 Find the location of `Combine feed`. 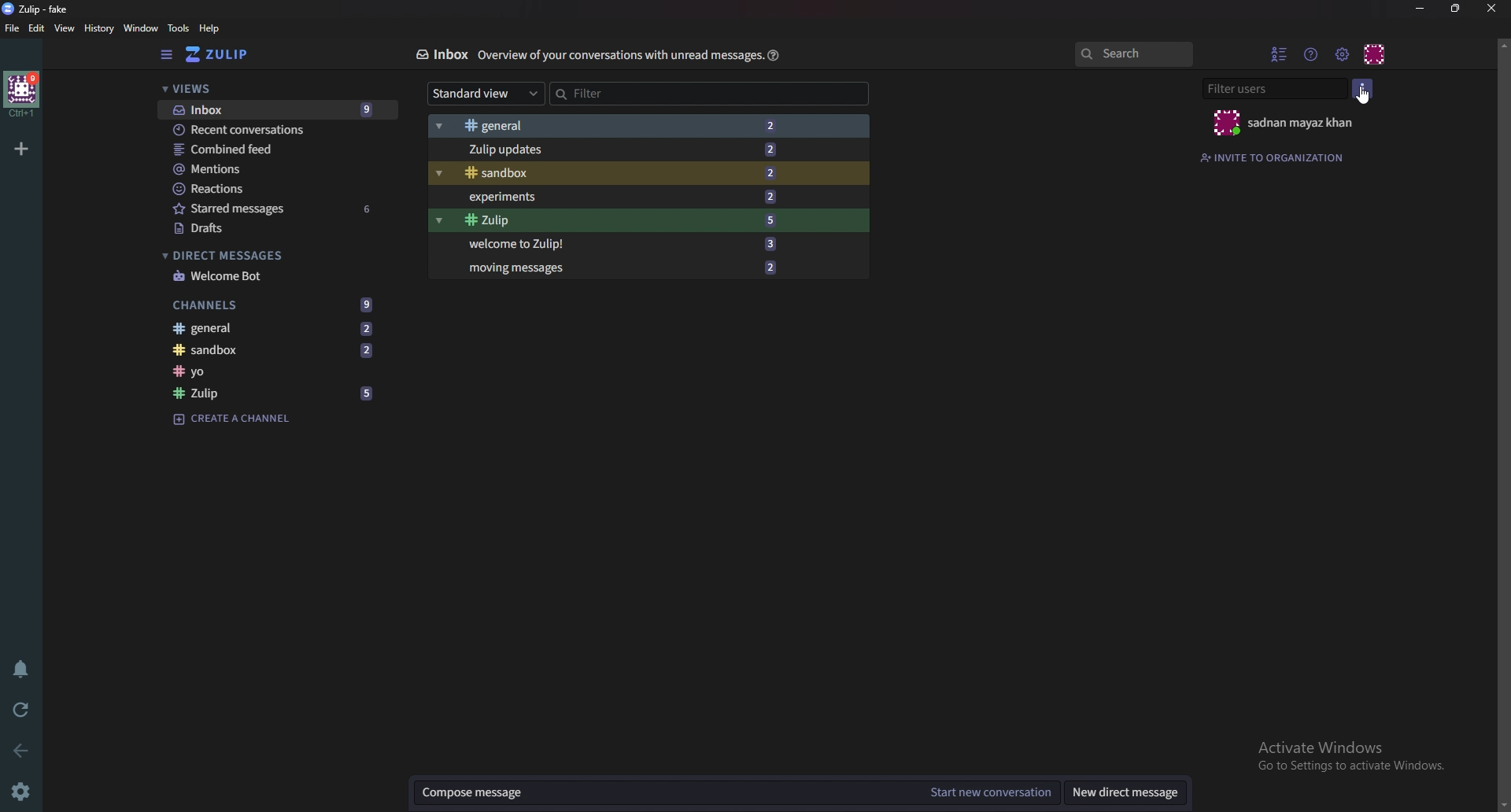

Combine feed is located at coordinates (269, 148).